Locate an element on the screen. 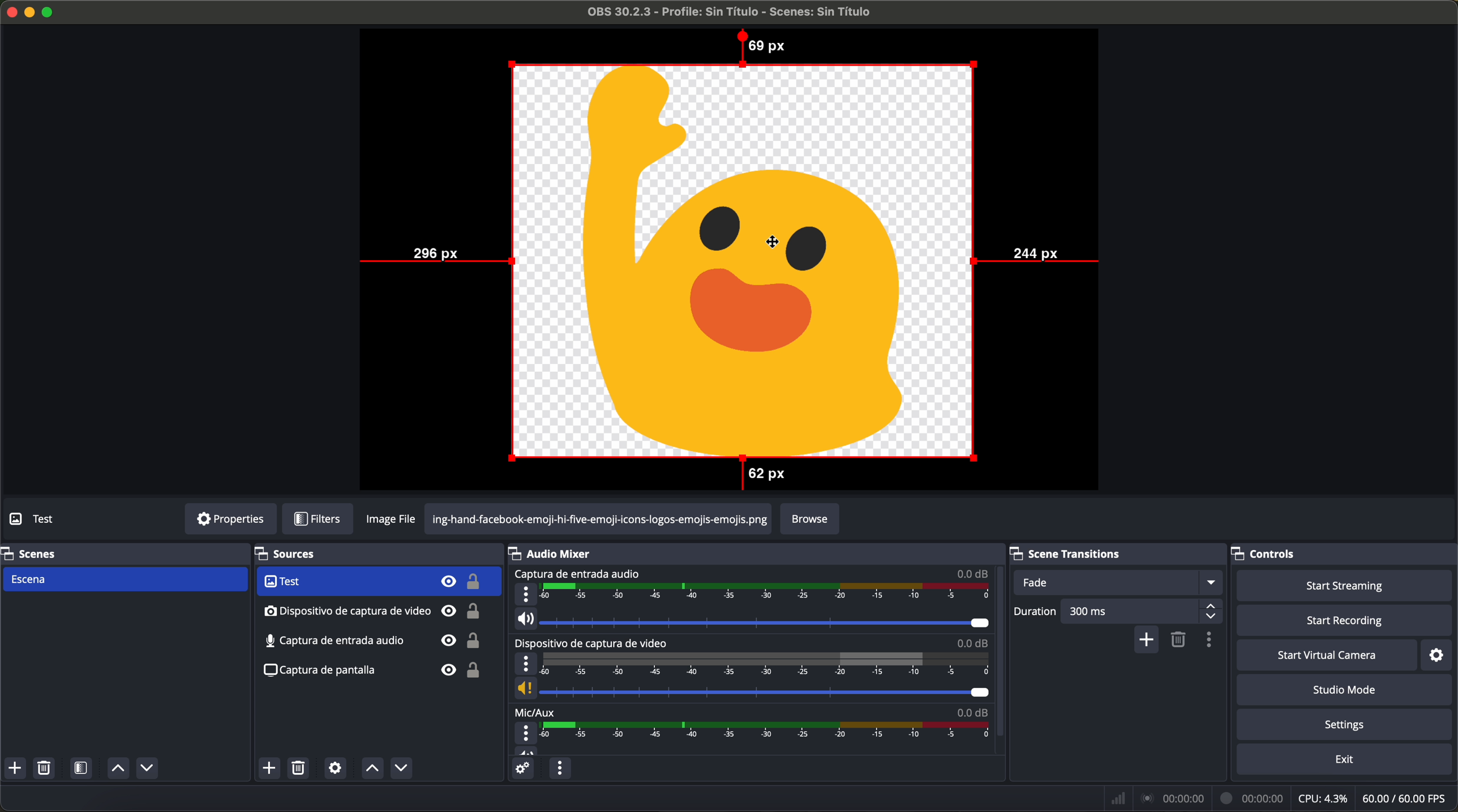 This screenshot has width=1458, height=812. duration is located at coordinates (1036, 613).